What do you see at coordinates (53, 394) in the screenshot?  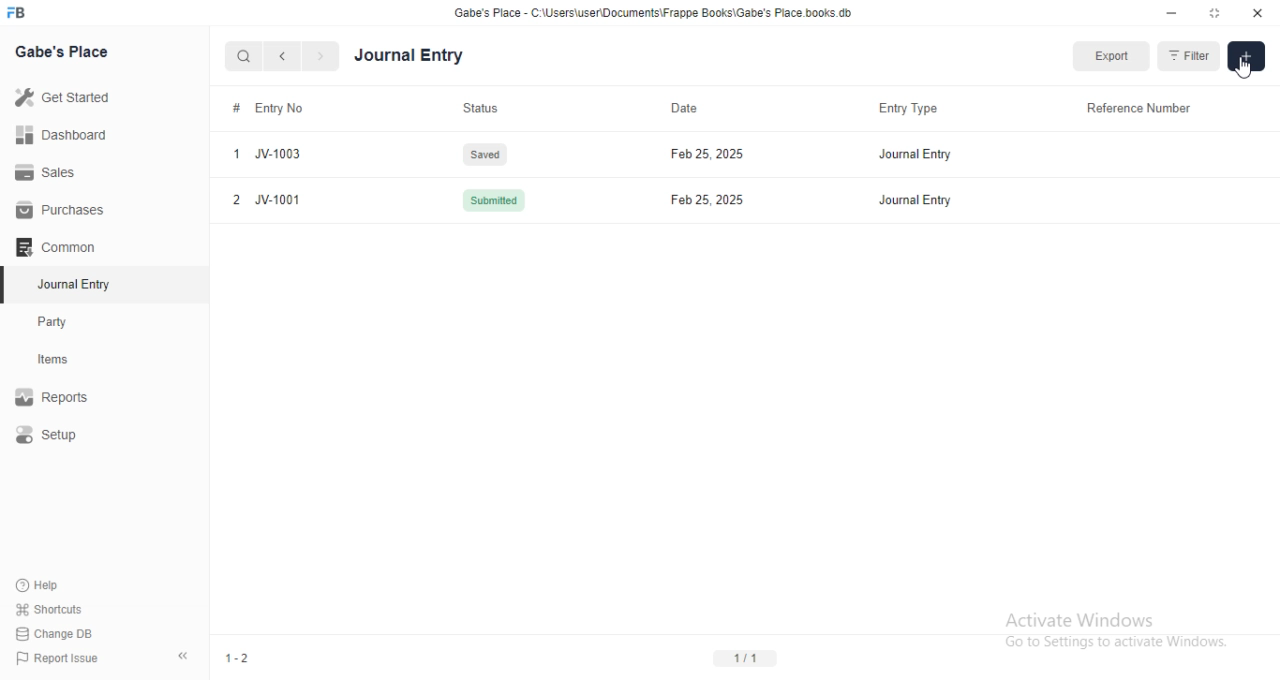 I see `Reports` at bounding box center [53, 394].